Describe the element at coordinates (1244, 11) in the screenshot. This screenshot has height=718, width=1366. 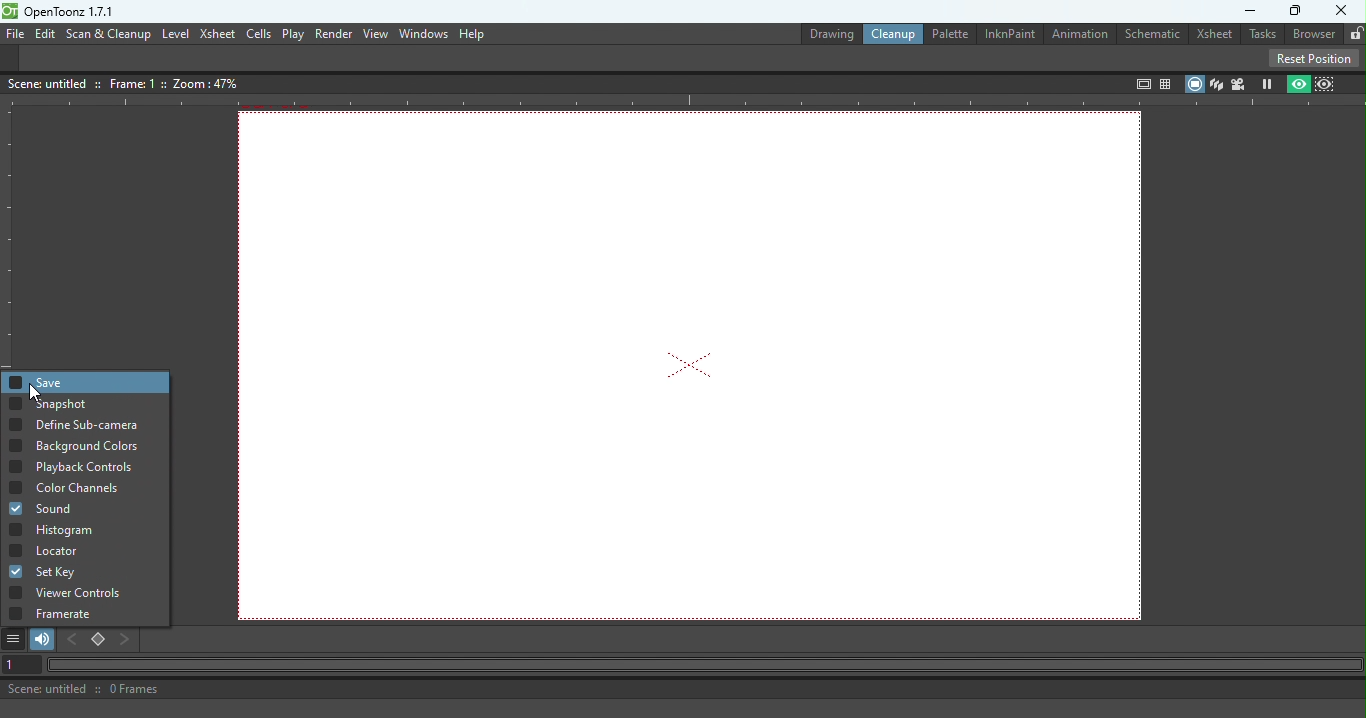
I see `Minimize` at that location.